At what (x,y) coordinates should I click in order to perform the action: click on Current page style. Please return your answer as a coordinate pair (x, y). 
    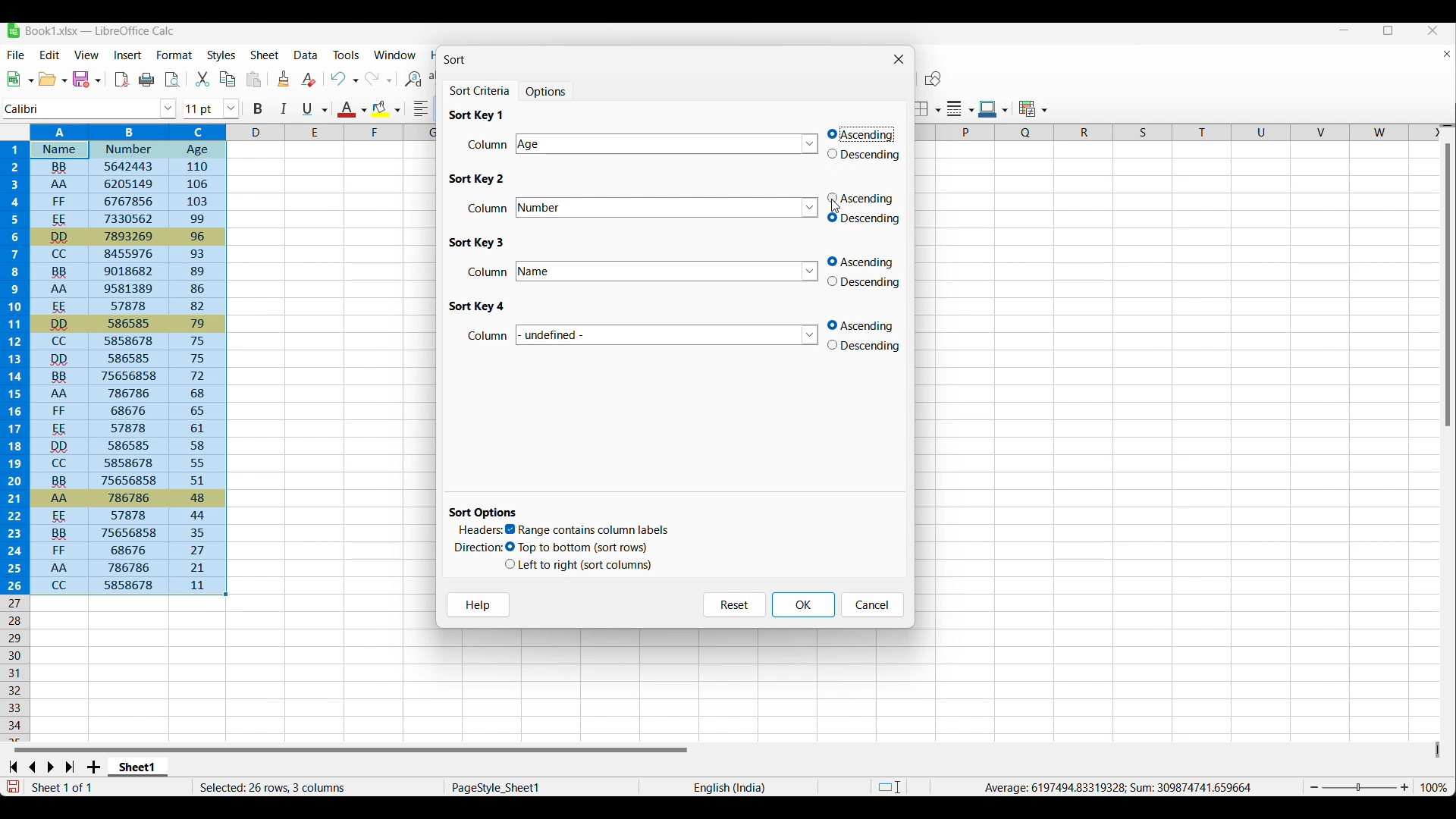
    Looking at the image, I should click on (540, 787).